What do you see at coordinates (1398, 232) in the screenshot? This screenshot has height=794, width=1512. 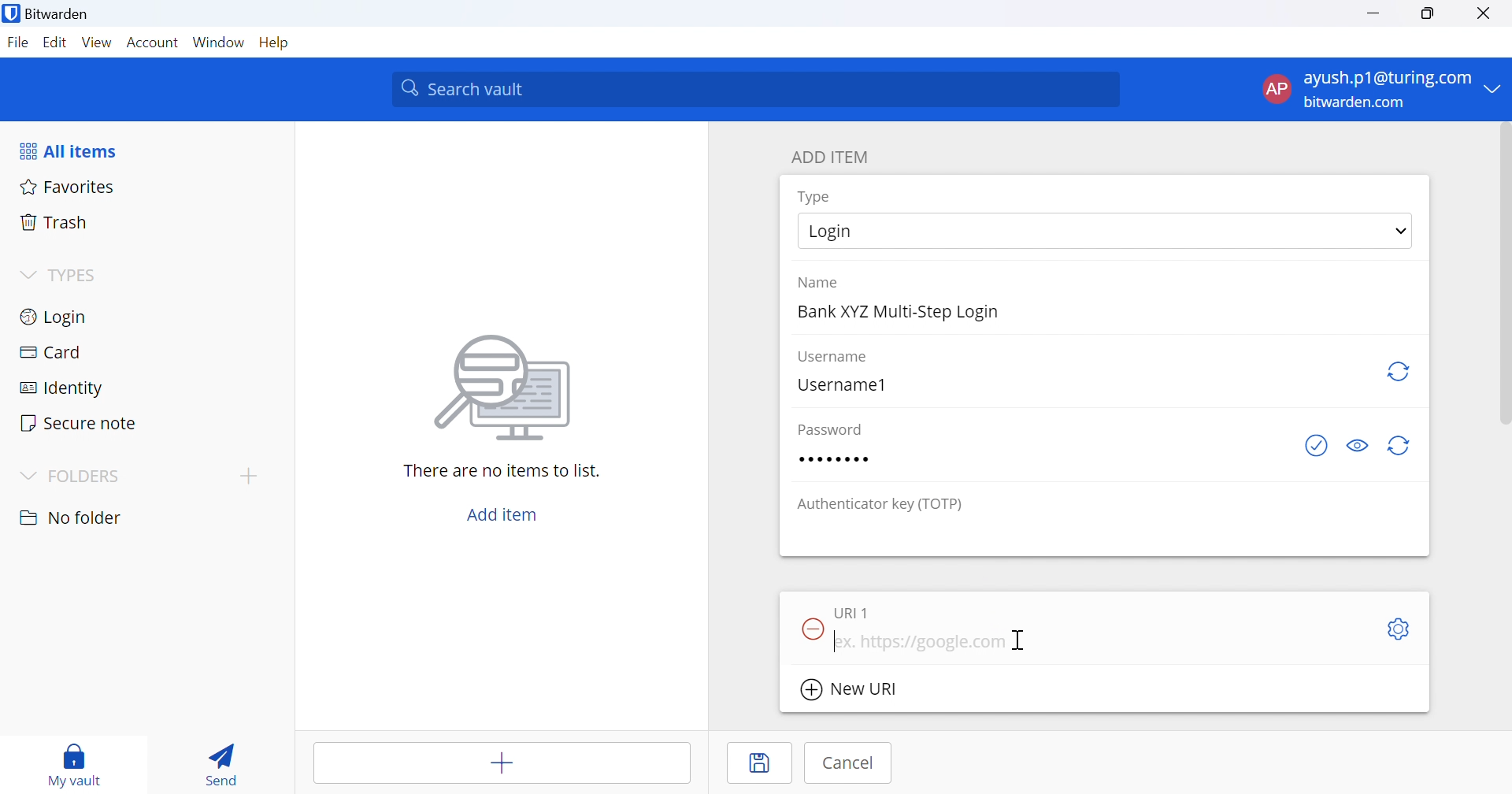 I see `Drop Down` at bounding box center [1398, 232].